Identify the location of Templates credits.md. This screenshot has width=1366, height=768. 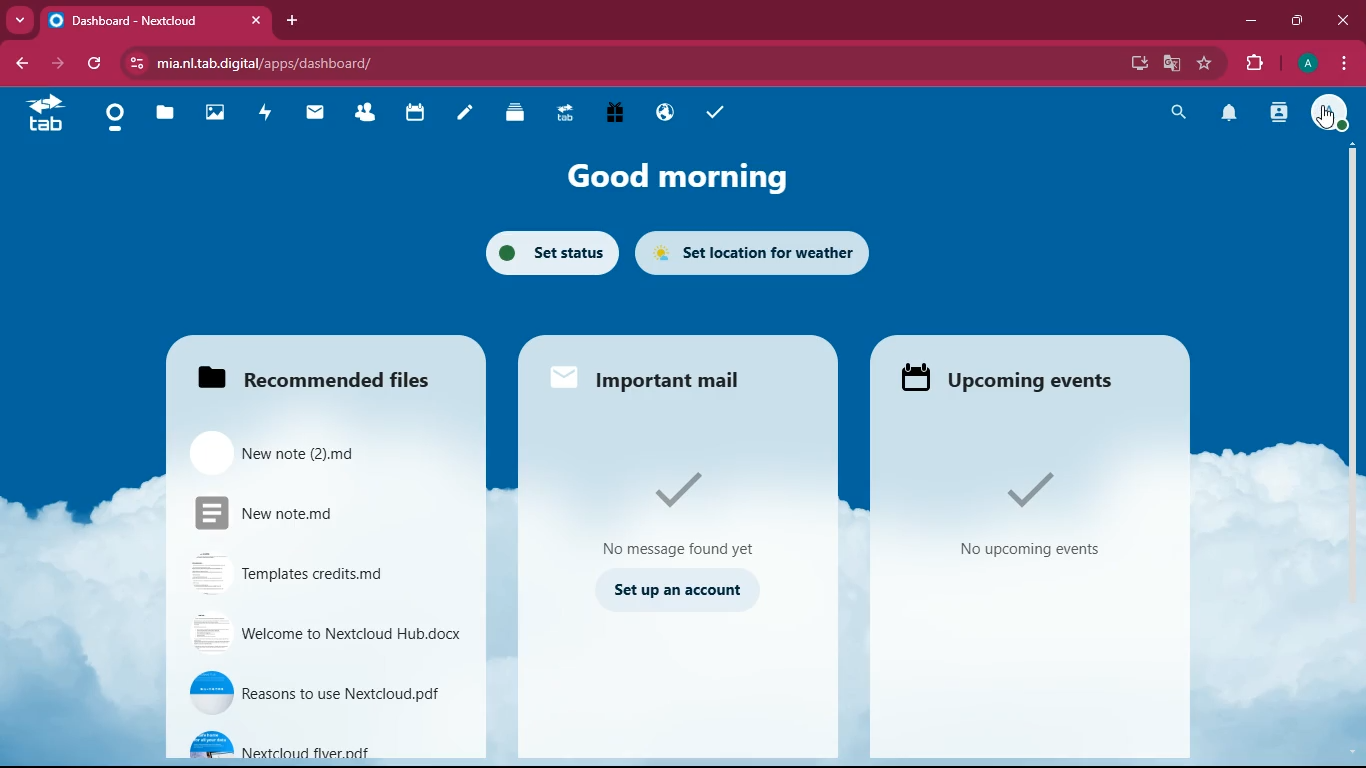
(306, 578).